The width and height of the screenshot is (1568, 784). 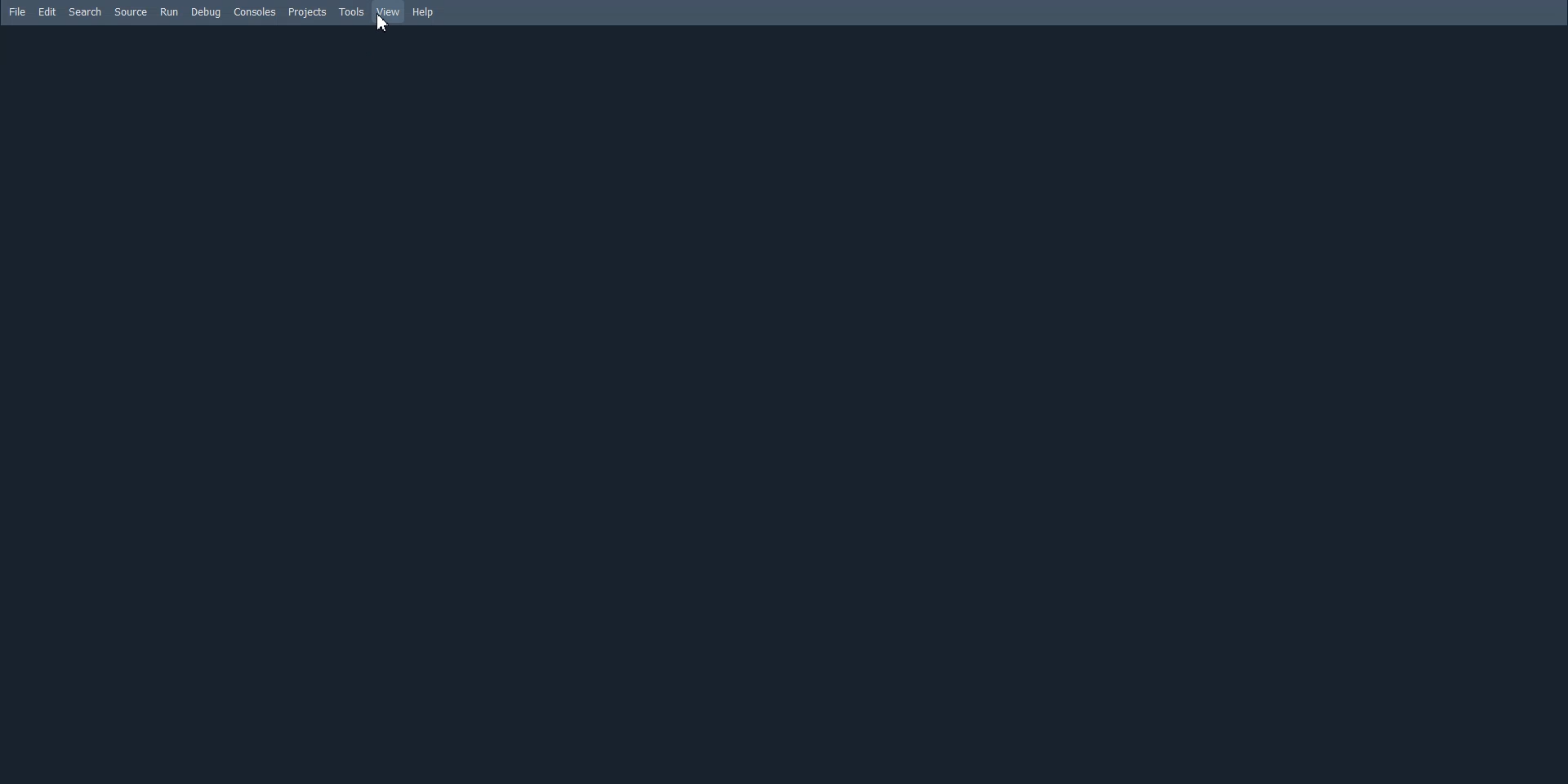 What do you see at coordinates (424, 13) in the screenshot?
I see `Help` at bounding box center [424, 13].